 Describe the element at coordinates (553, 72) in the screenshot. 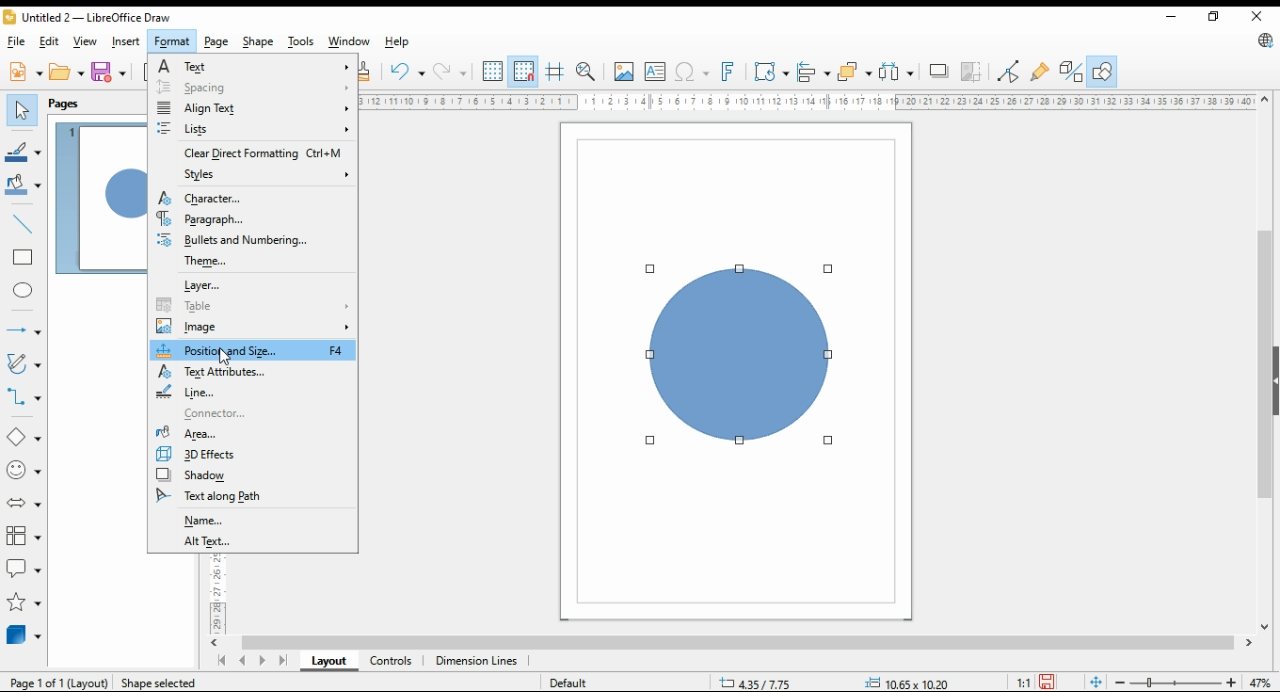

I see `helplines while moving` at that location.